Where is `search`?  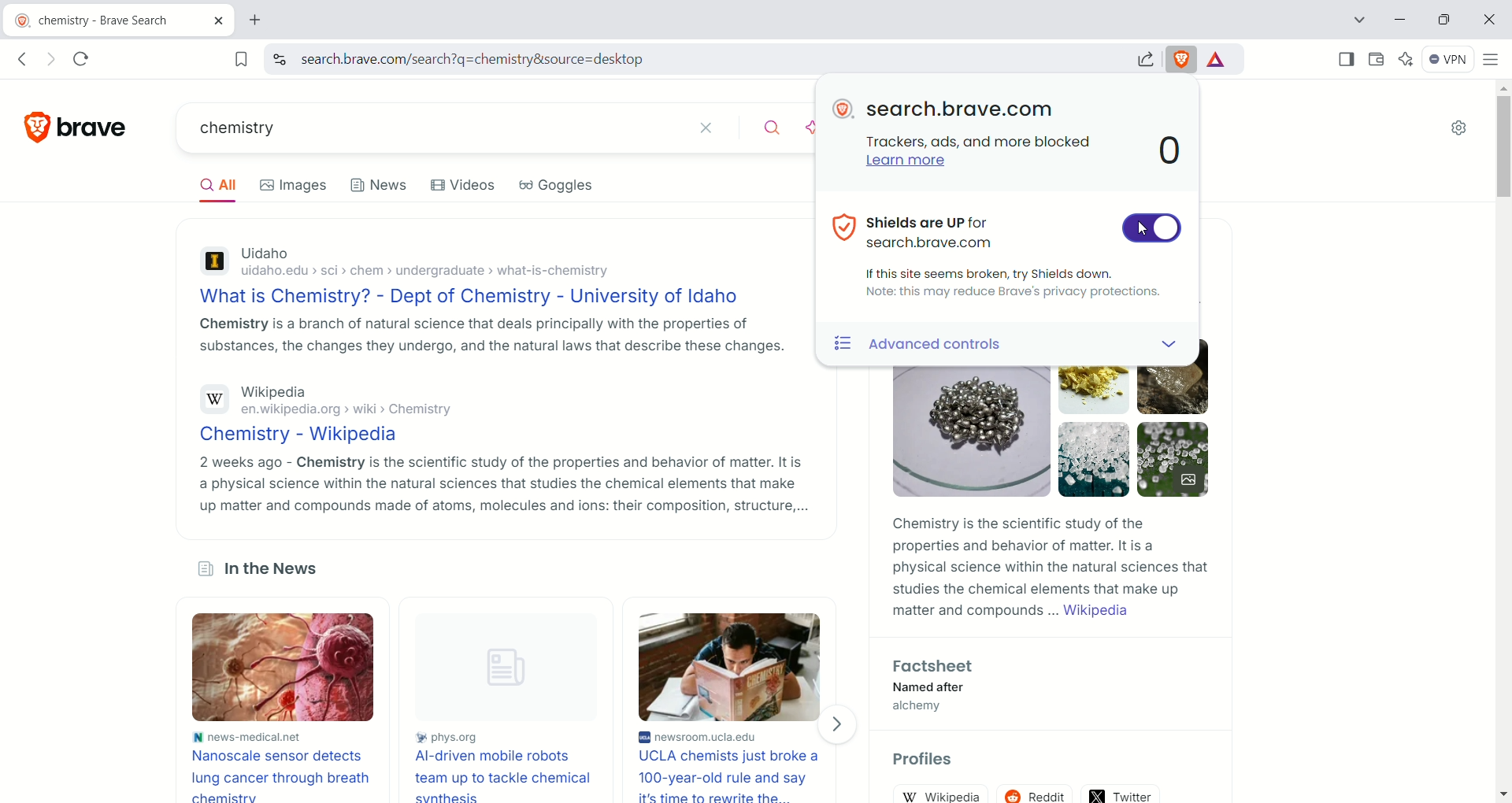 search is located at coordinates (773, 130).